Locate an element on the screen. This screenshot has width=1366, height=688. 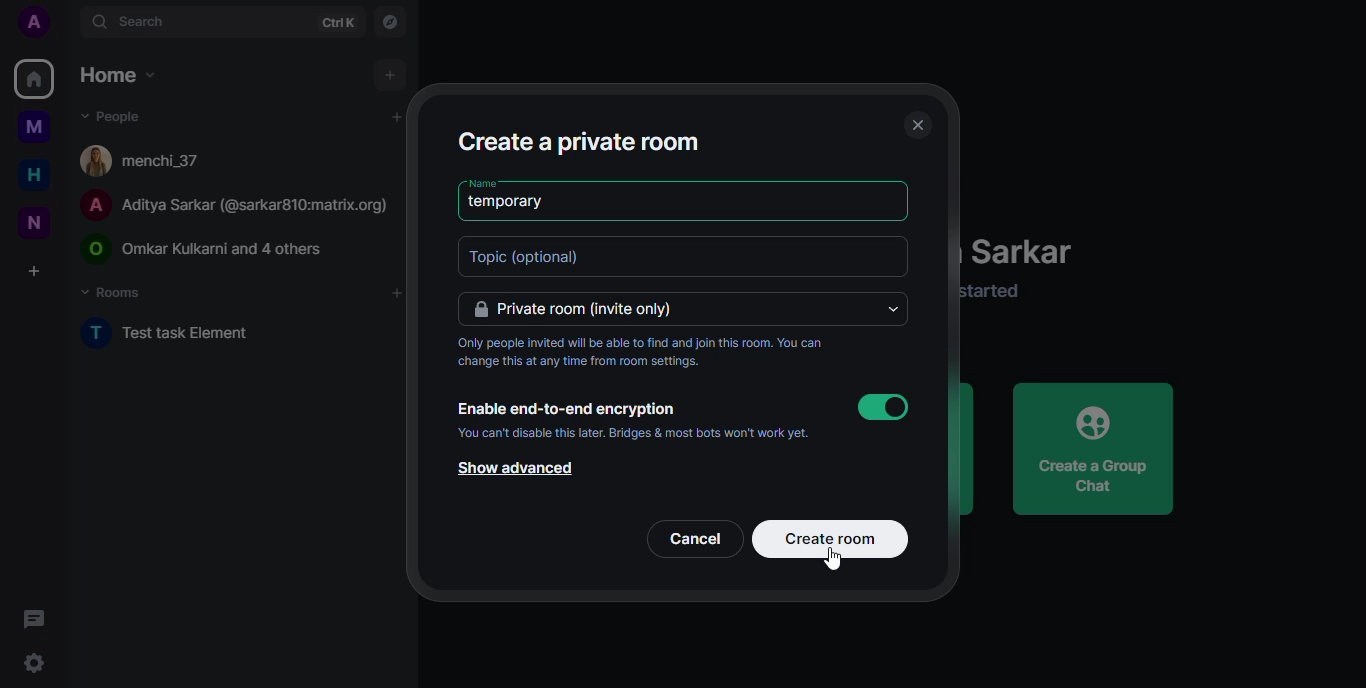
rooms is located at coordinates (115, 291).